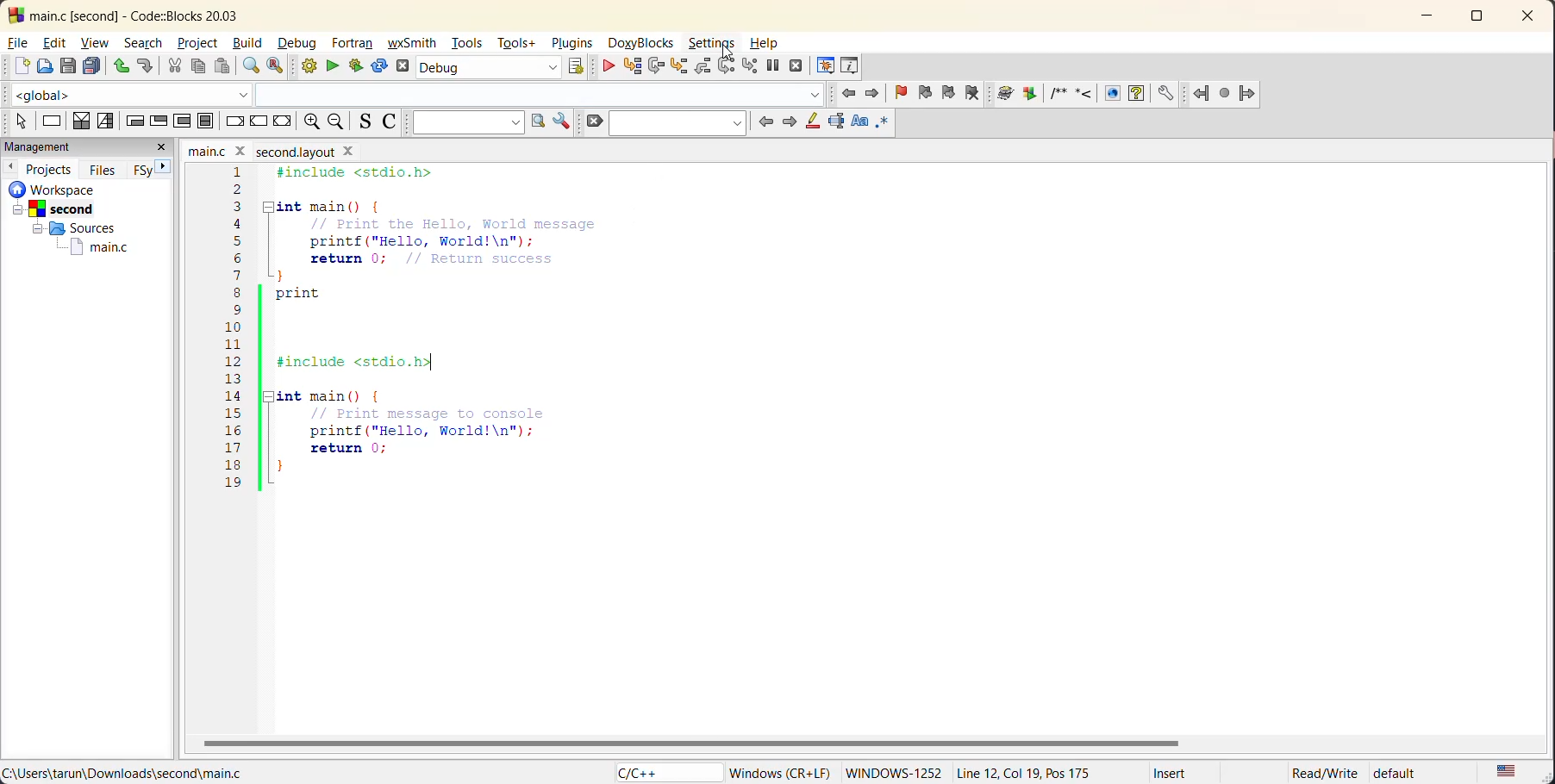 Image resolution: width=1555 pixels, height=784 pixels. Describe the element at coordinates (118, 65) in the screenshot. I see `undo` at that location.